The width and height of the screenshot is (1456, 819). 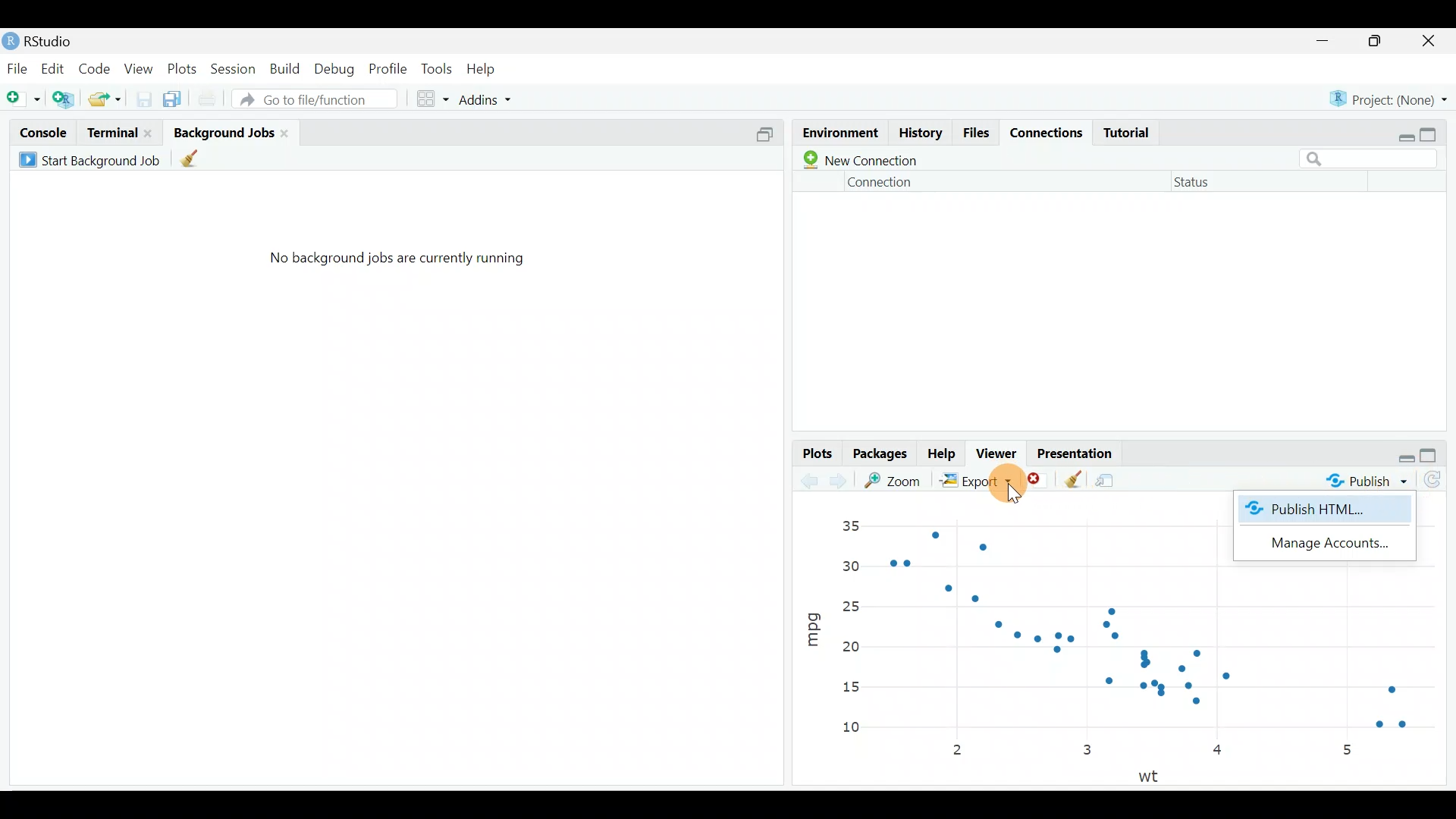 What do you see at coordinates (290, 132) in the screenshot?
I see `close background job` at bounding box center [290, 132].